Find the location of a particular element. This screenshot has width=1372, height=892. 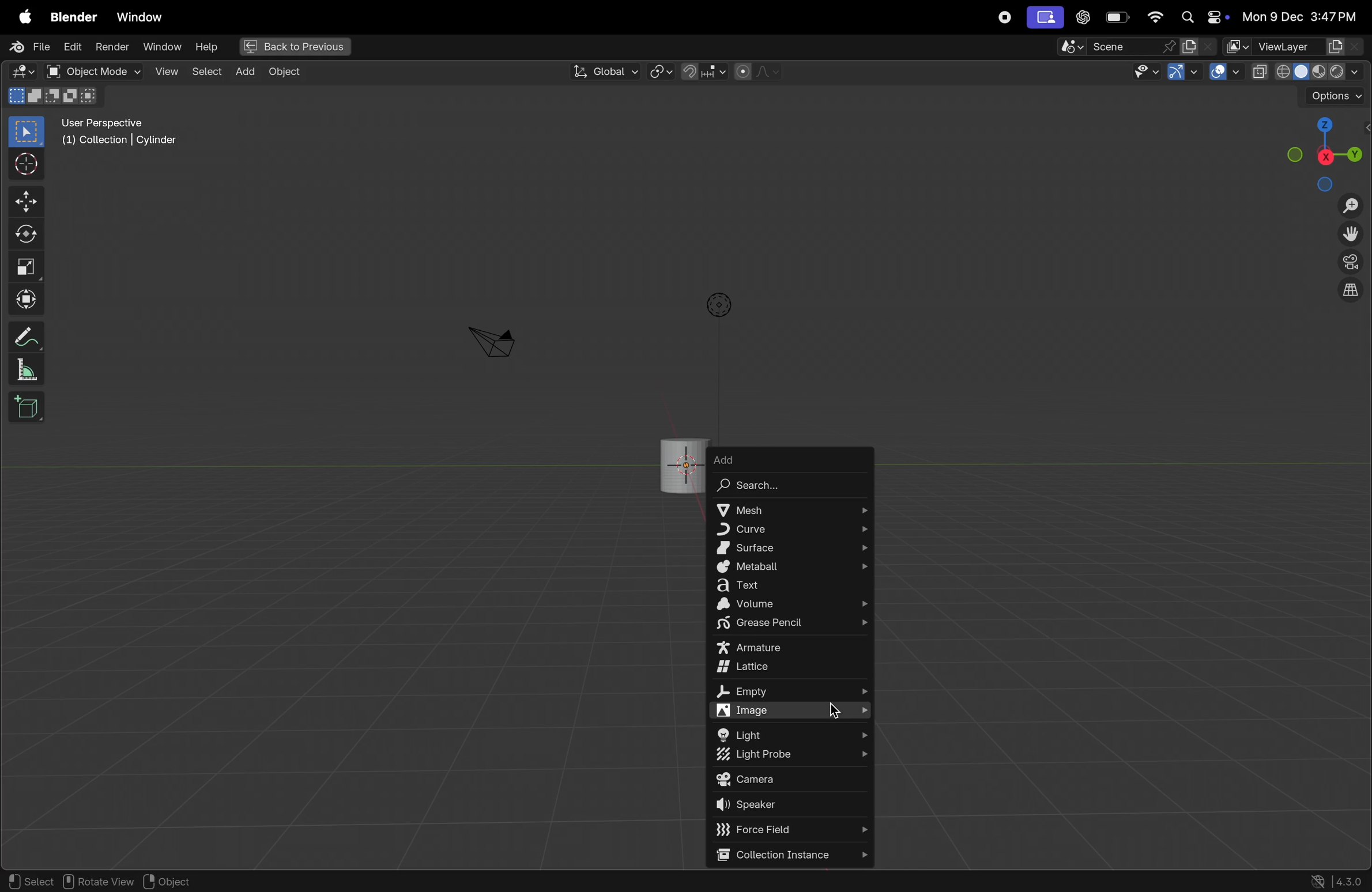

show gimzo is located at coordinates (1185, 74).